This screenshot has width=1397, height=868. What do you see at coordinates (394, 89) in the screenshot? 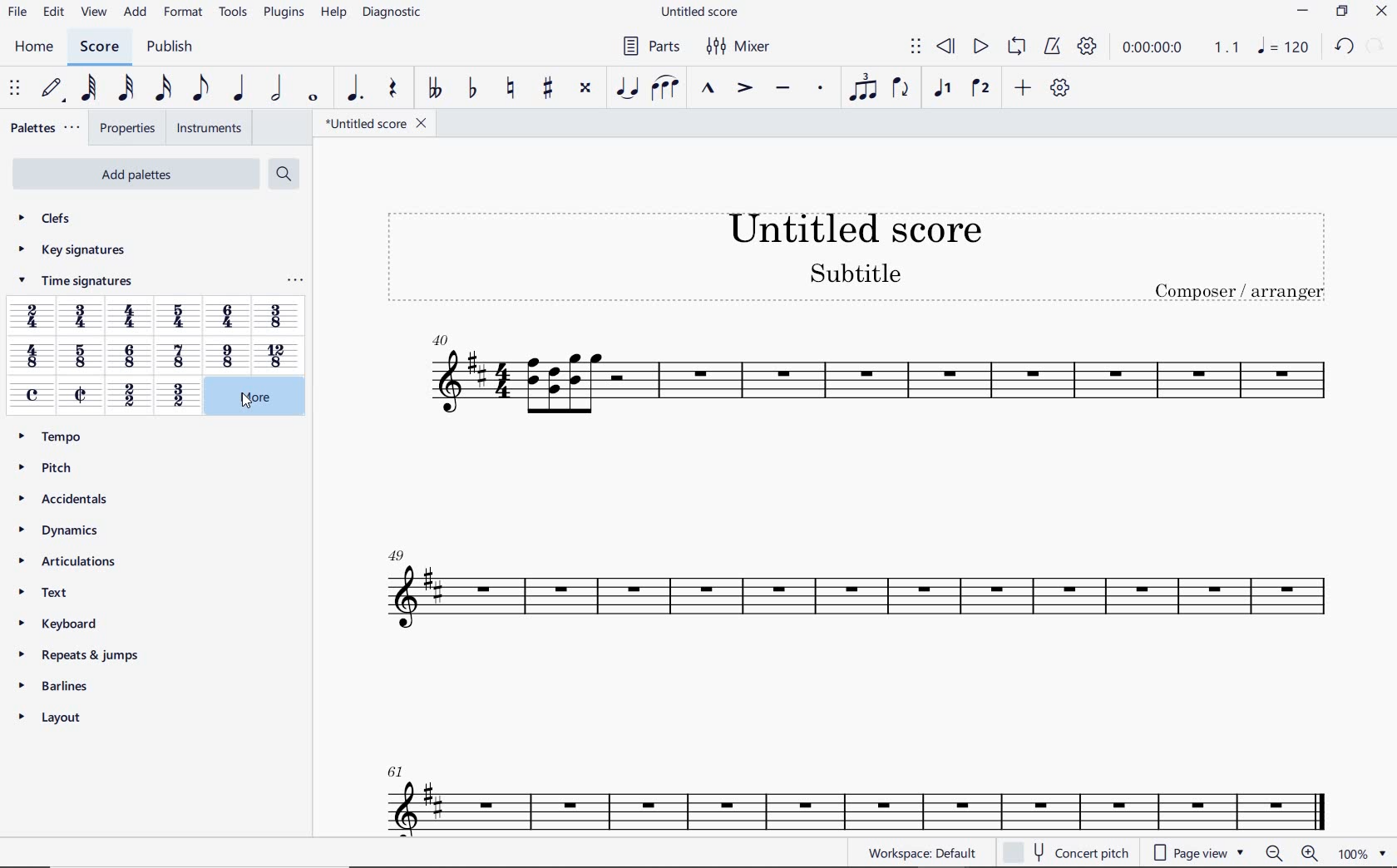
I see `REST` at bounding box center [394, 89].